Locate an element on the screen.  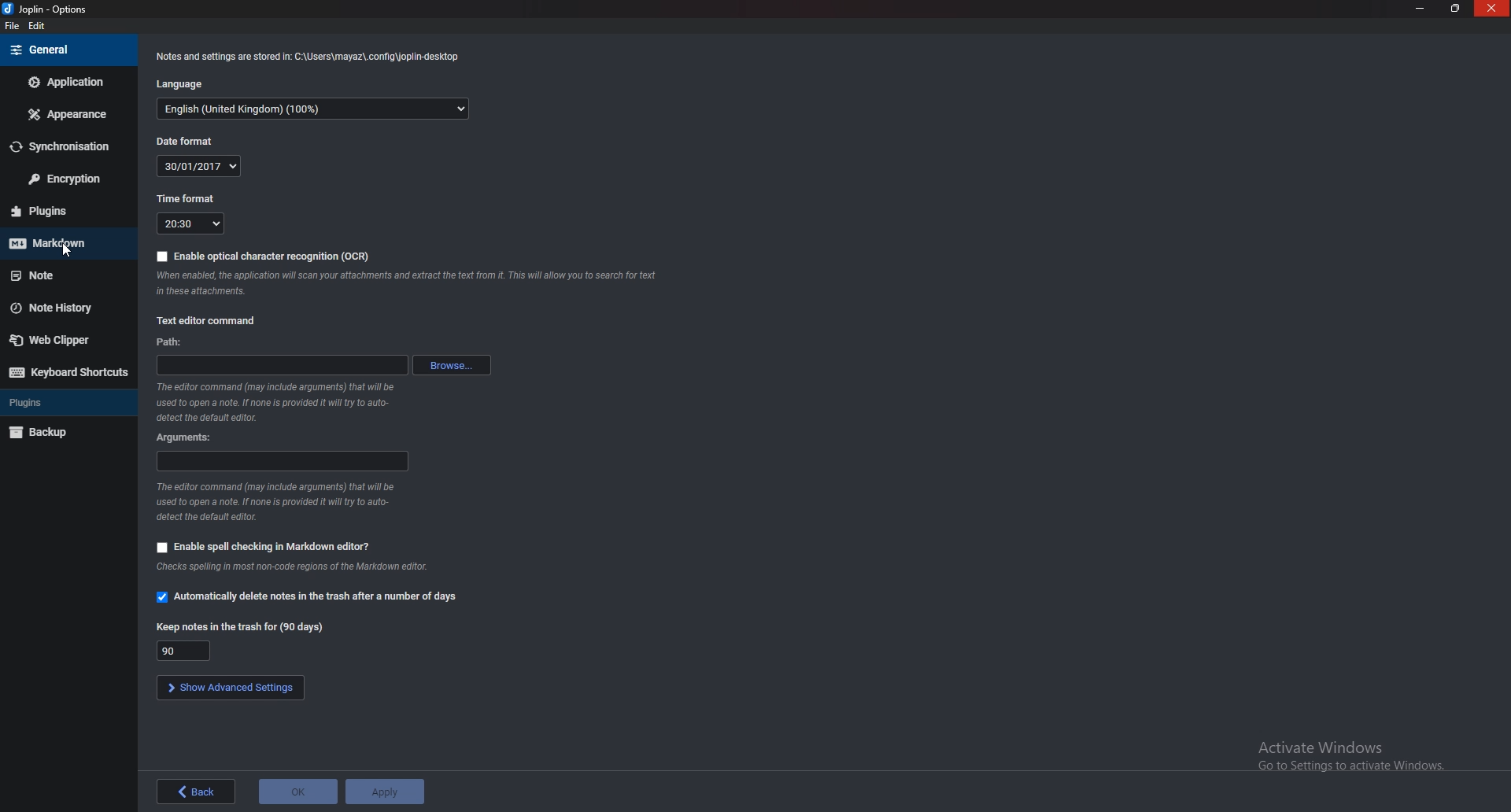
file is located at coordinates (11, 29).